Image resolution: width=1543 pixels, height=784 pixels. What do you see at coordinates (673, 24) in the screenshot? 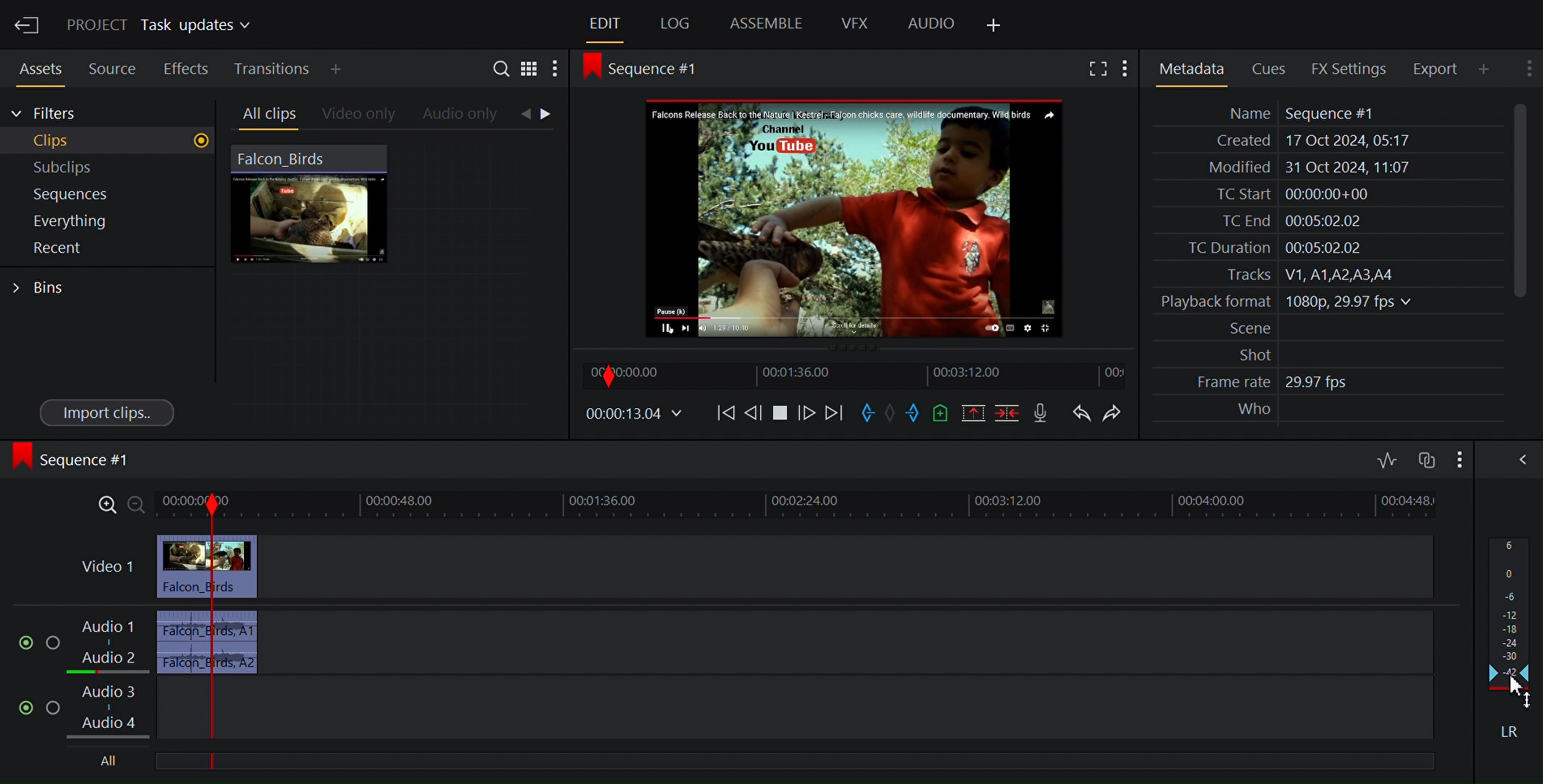
I see `Log` at bounding box center [673, 24].